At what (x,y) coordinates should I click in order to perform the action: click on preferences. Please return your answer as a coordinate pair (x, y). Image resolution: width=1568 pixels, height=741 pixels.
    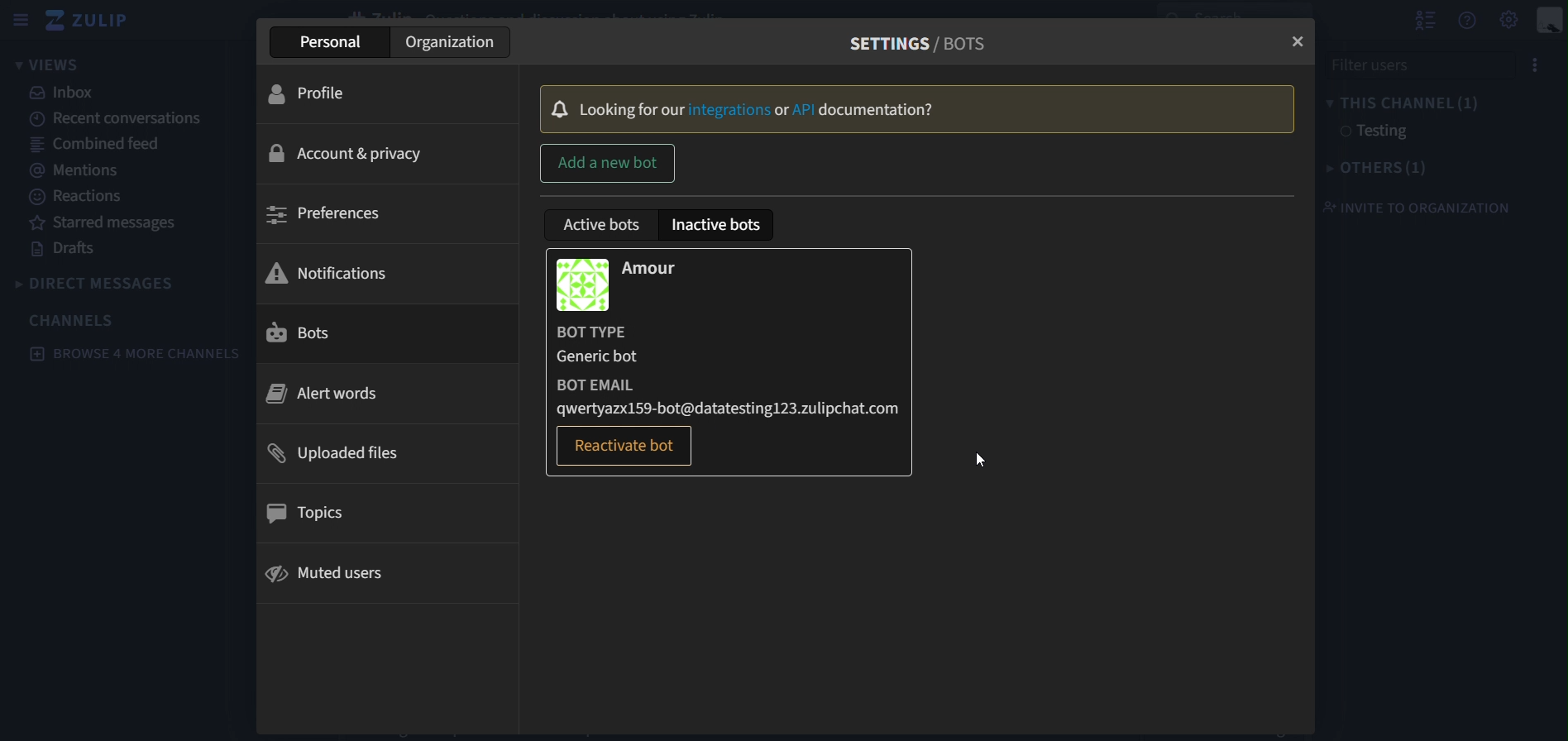
    Looking at the image, I should click on (337, 215).